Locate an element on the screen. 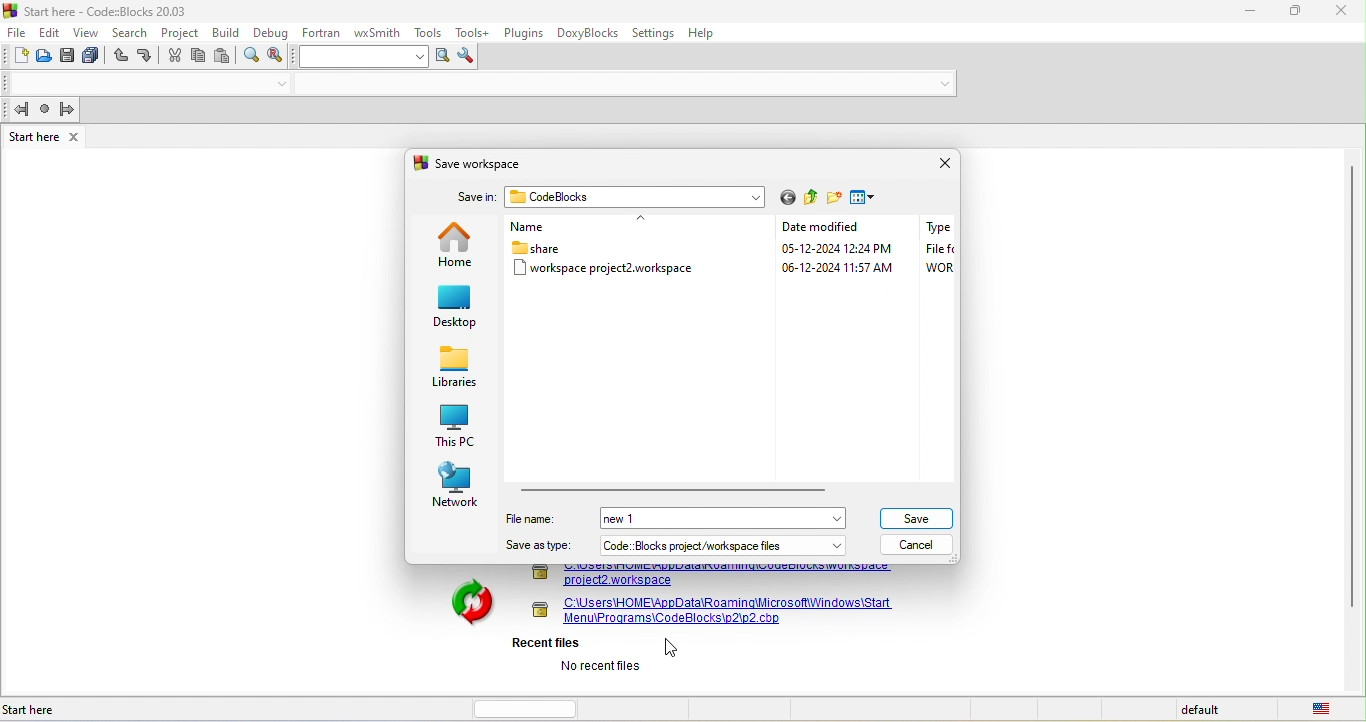 This screenshot has height=722, width=1366. copy is located at coordinates (199, 56).